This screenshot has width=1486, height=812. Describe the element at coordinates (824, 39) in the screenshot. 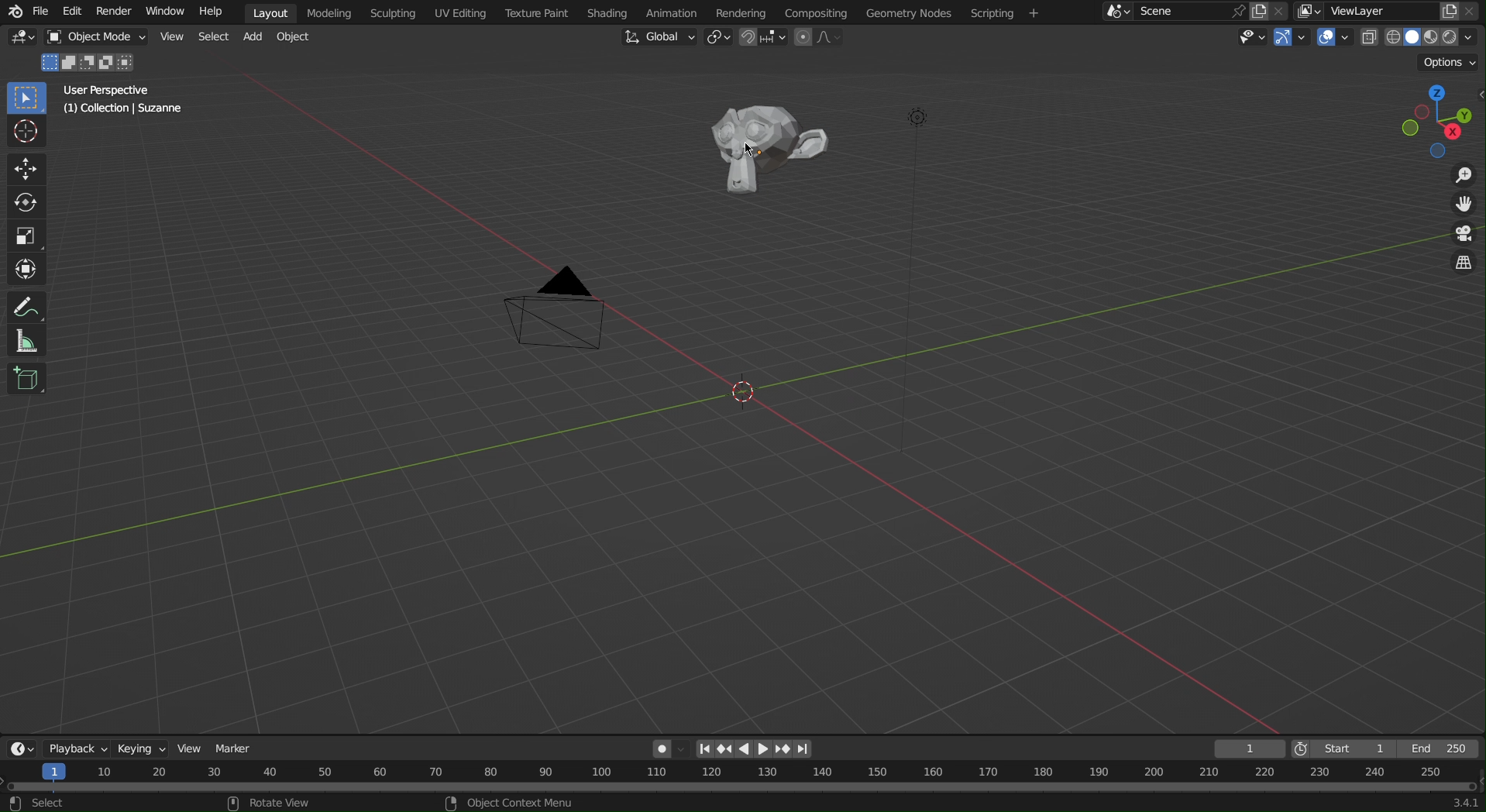

I see `Proportional Editing` at that location.